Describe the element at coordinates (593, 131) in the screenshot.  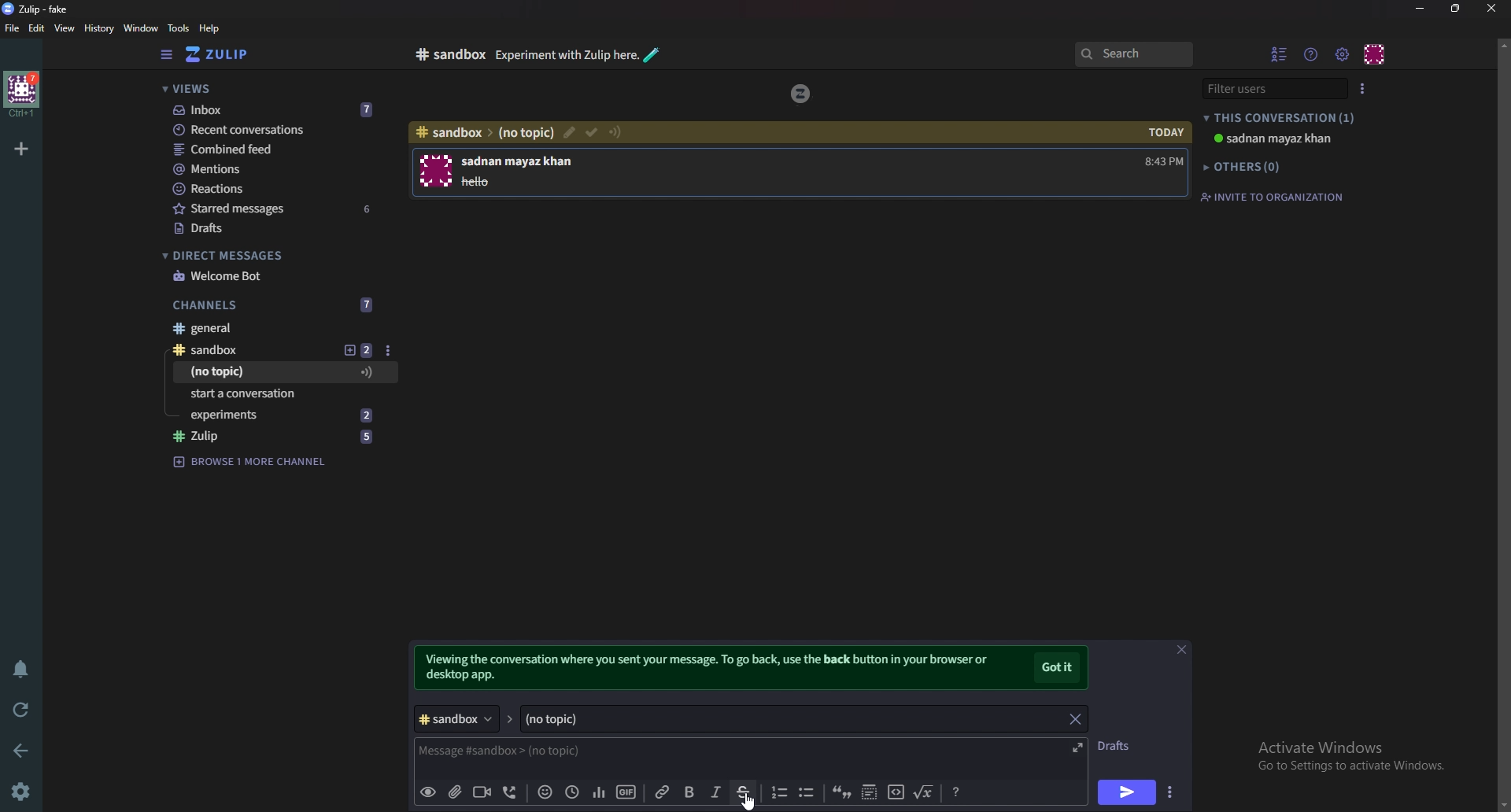
I see `Edit topic` at that location.